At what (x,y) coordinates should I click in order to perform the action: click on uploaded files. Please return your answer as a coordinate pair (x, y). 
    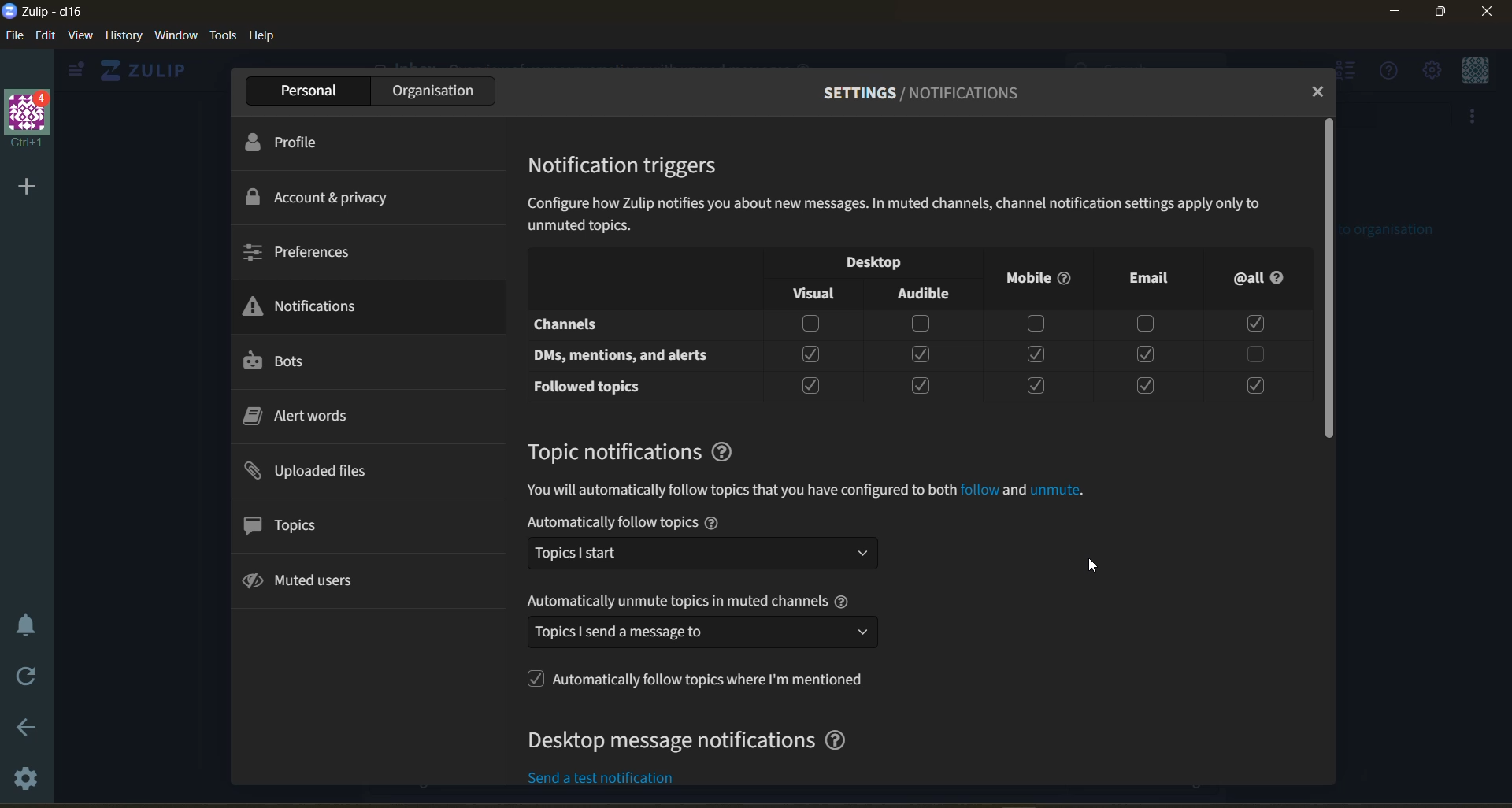
    Looking at the image, I should click on (317, 471).